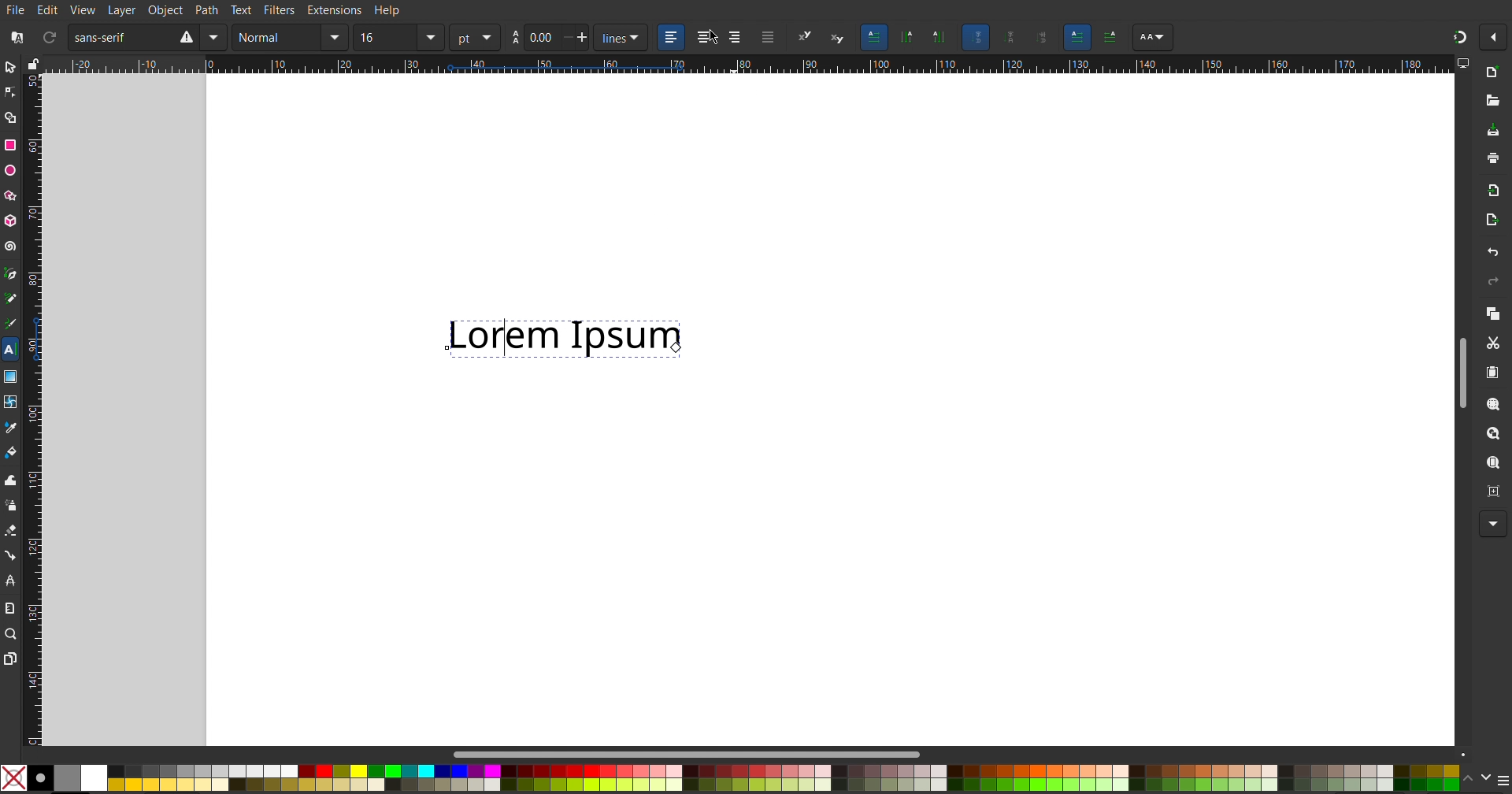 The width and height of the screenshot is (1512, 794). What do you see at coordinates (908, 38) in the screenshot?
I see `Vertical text orientation right to left` at bounding box center [908, 38].